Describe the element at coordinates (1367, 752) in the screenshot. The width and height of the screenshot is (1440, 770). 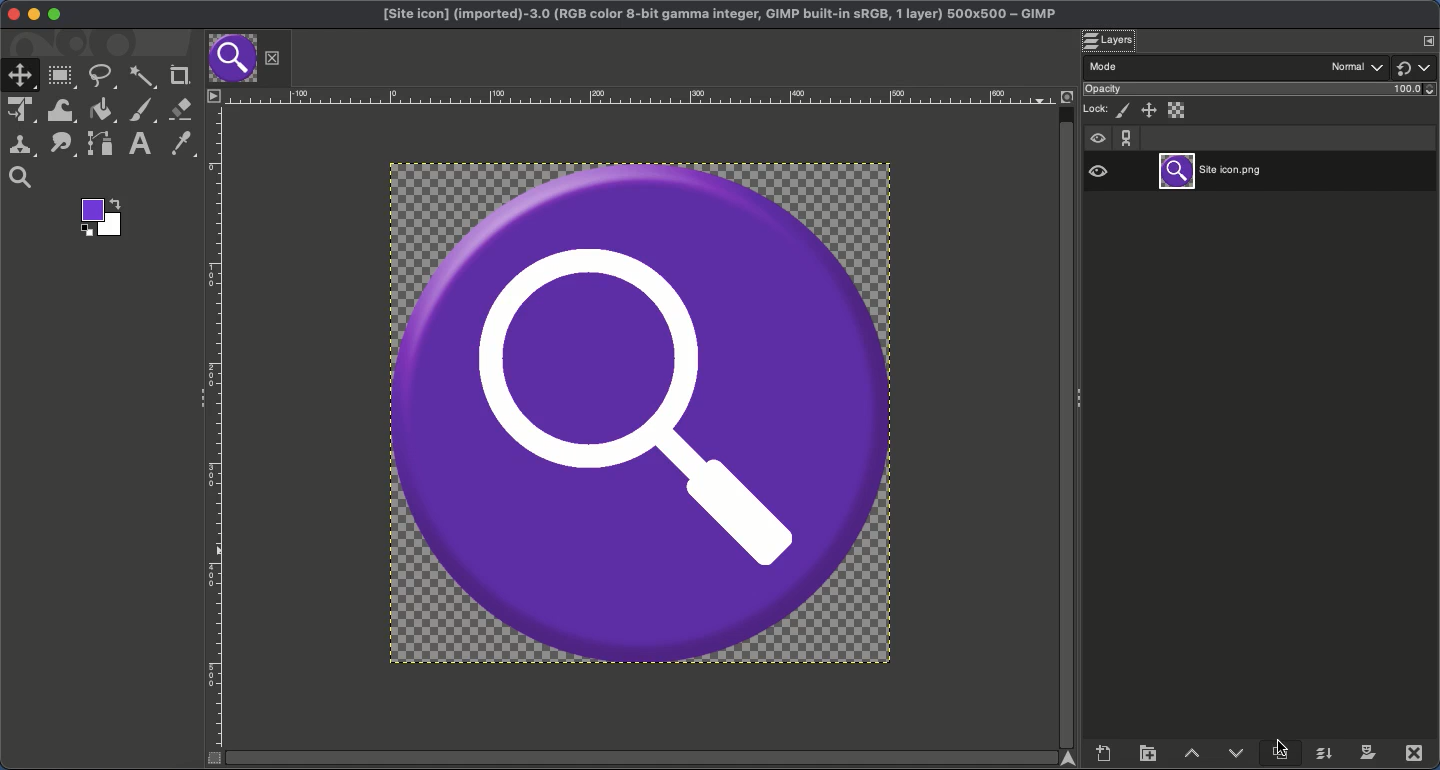
I see `Add a mask` at that location.